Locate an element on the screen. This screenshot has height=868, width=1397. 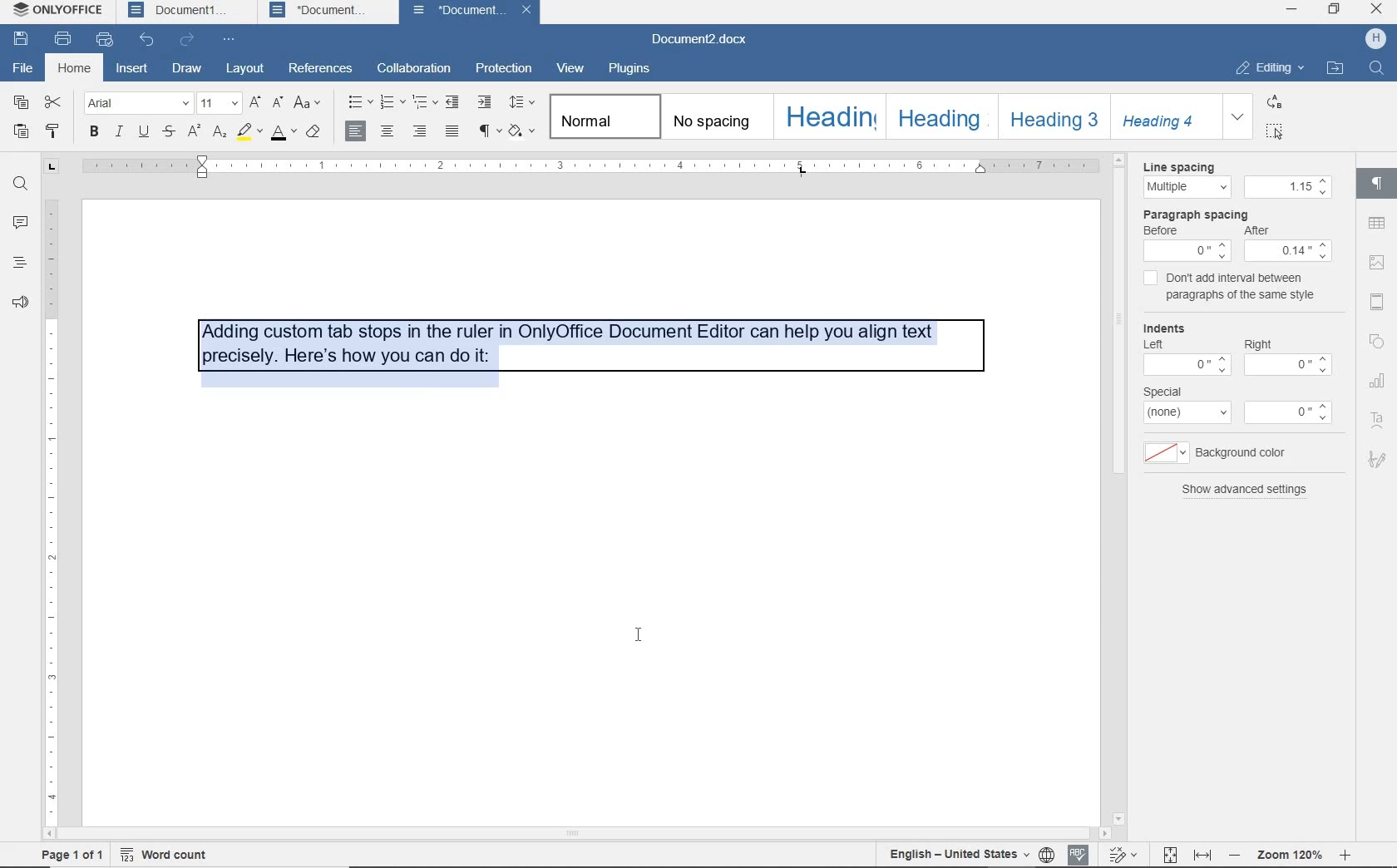
collaboration is located at coordinates (412, 69).